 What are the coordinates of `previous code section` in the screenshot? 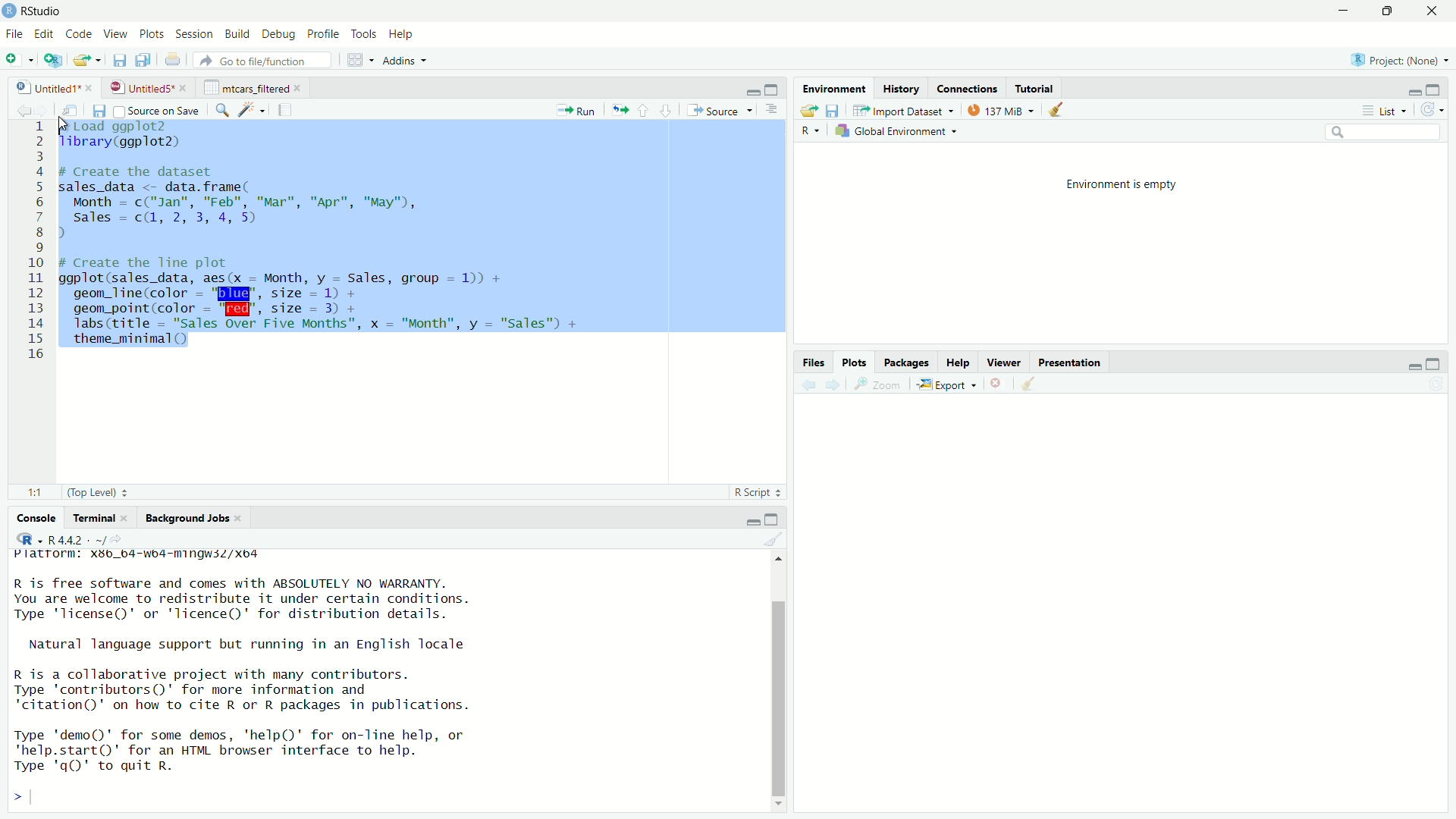 It's located at (643, 110).